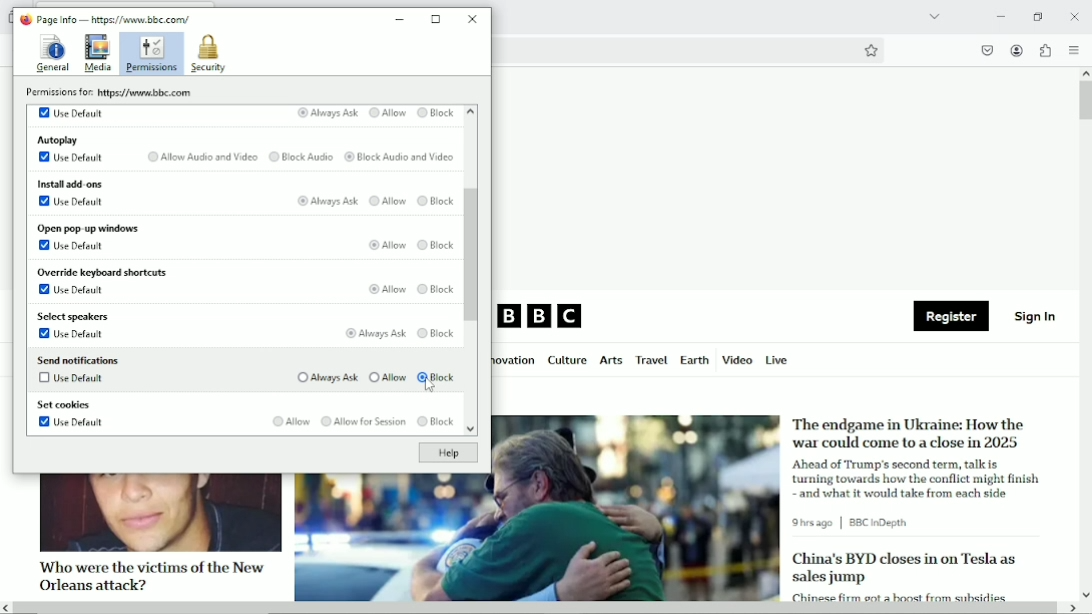  What do you see at coordinates (300, 157) in the screenshot?
I see `Block audio` at bounding box center [300, 157].